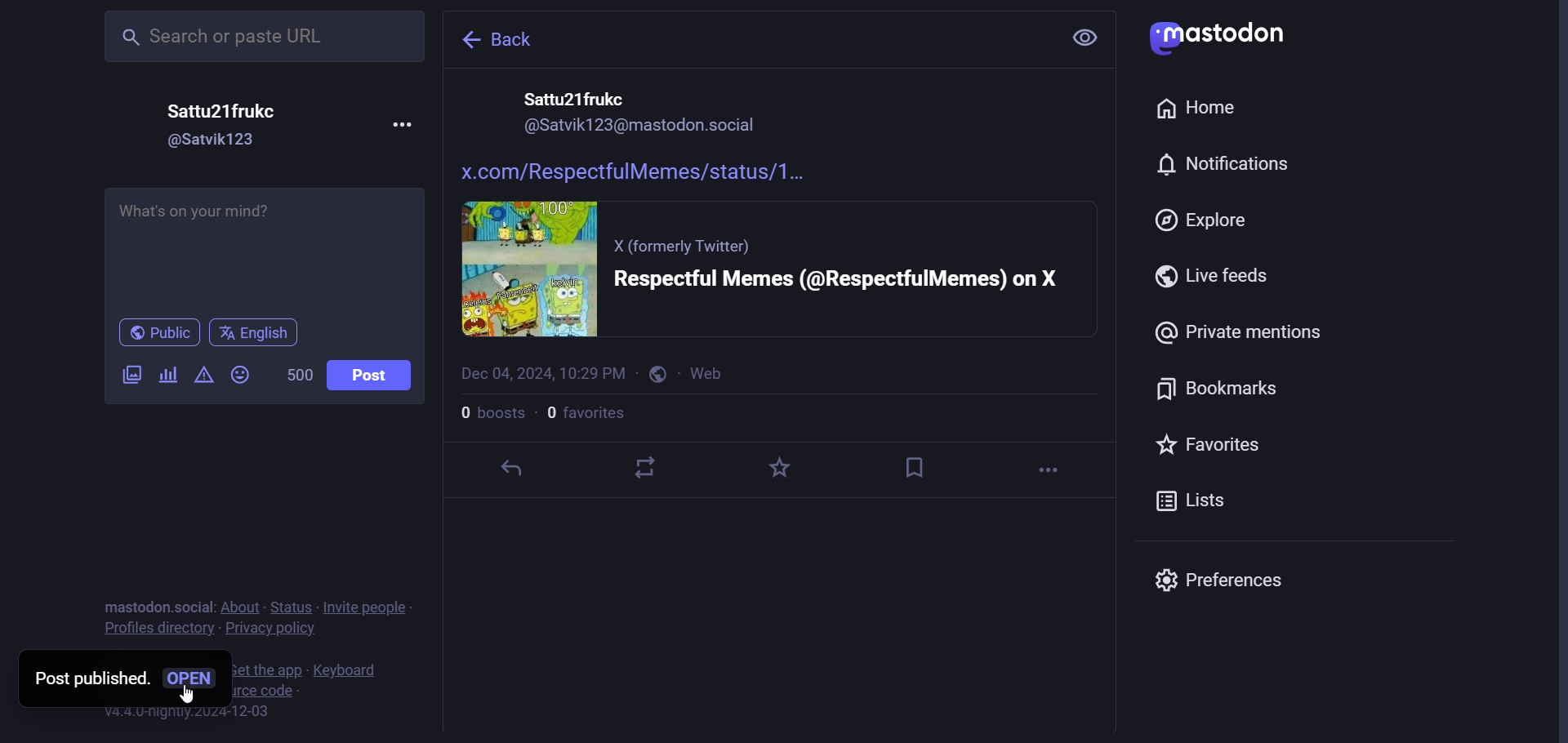 Image resolution: width=1568 pixels, height=743 pixels. What do you see at coordinates (134, 605) in the screenshot?
I see `mastodon` at bounding box center [134, 605].